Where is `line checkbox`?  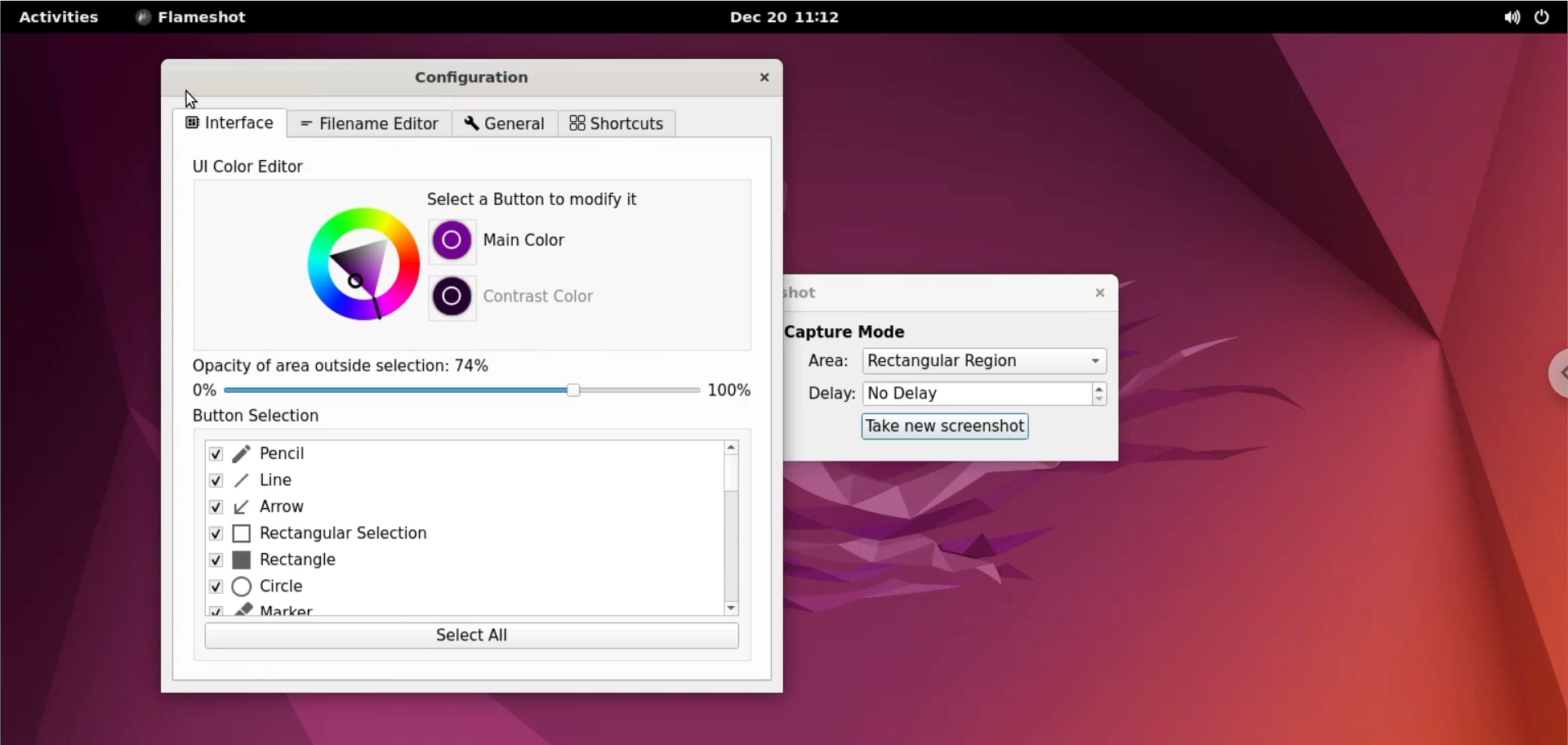
line checkbox is located at coordinates (453, 484).